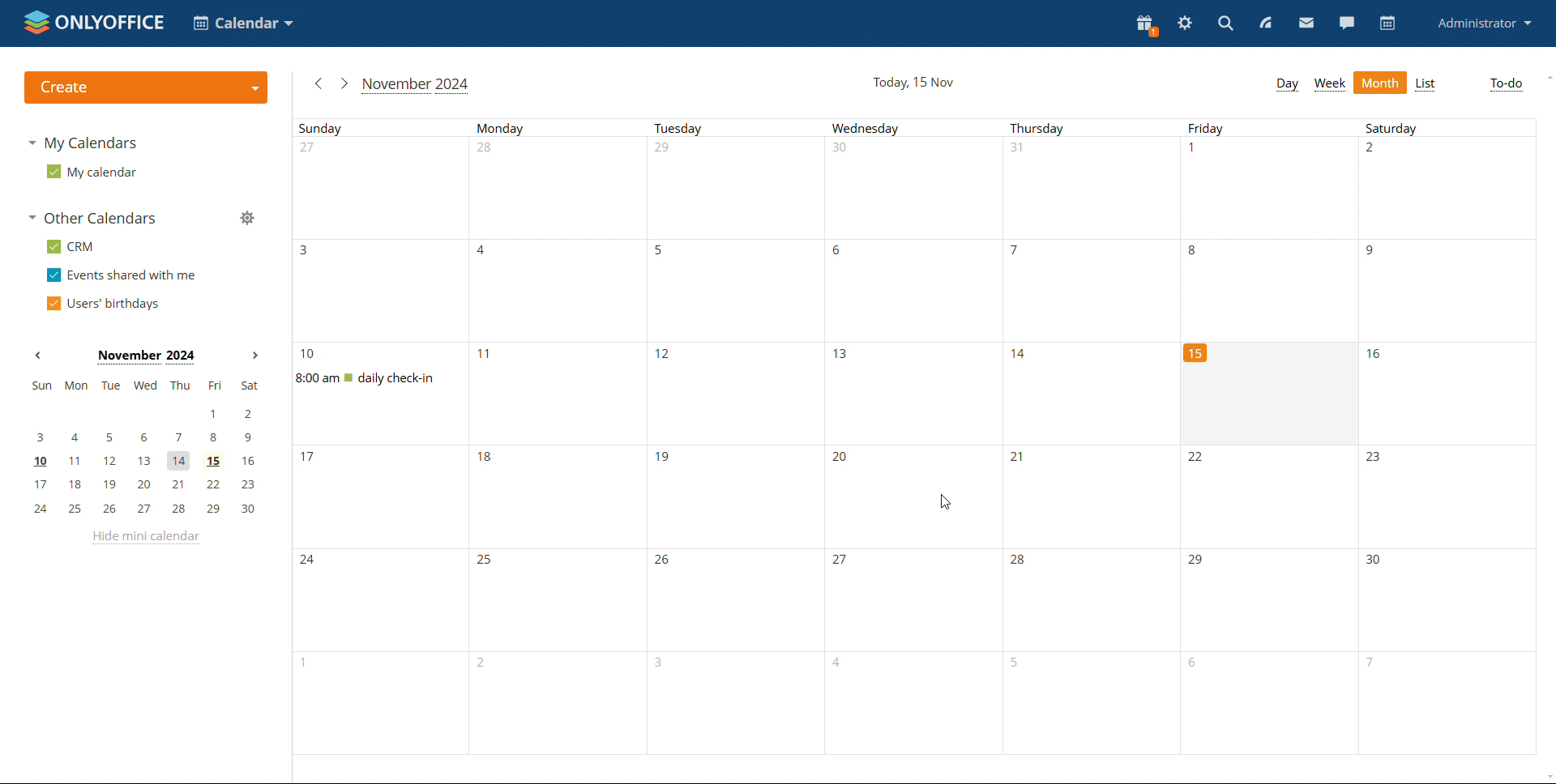 Image resolution: width=1556 pixels, height=784 pixels. Describe the element at coordinates (483, 353) in the screenshot. I see `Number` at that location.